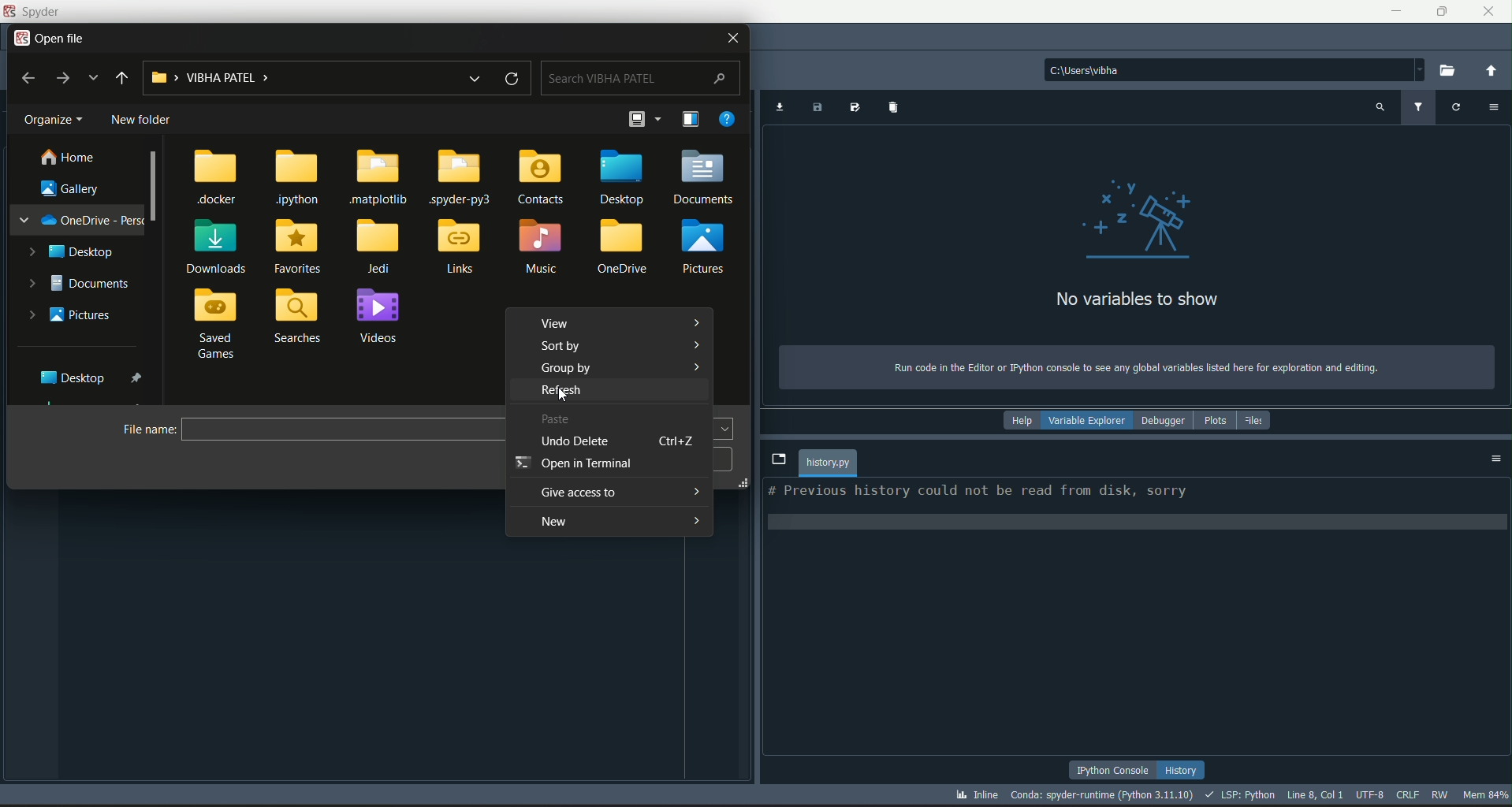  What do you see at coordinates (1490, 70) in the screenshot?
I see `change to parent directory` at bounding box center [1490, 70].